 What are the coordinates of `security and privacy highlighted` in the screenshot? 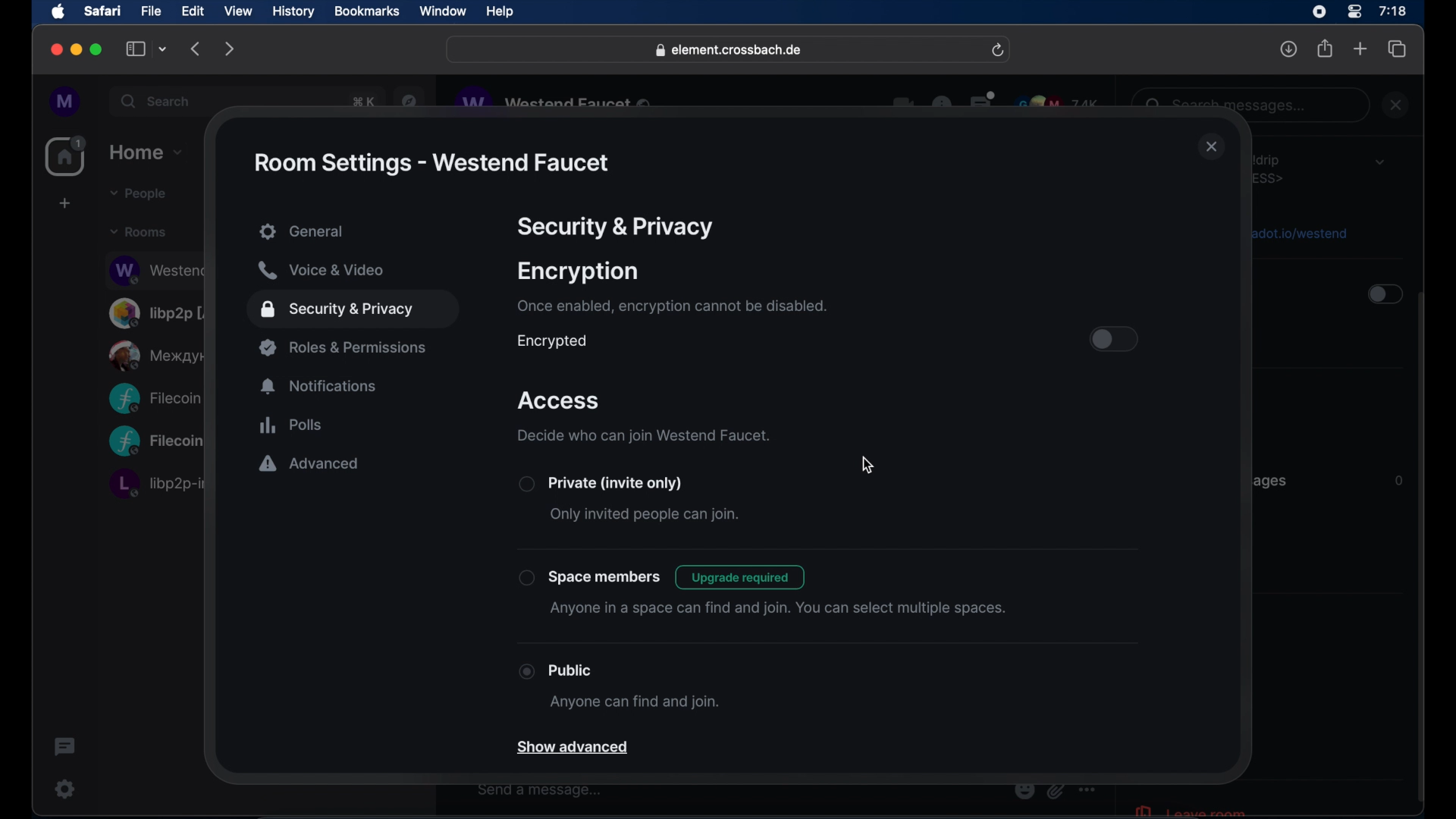 It's located at (353, 310).